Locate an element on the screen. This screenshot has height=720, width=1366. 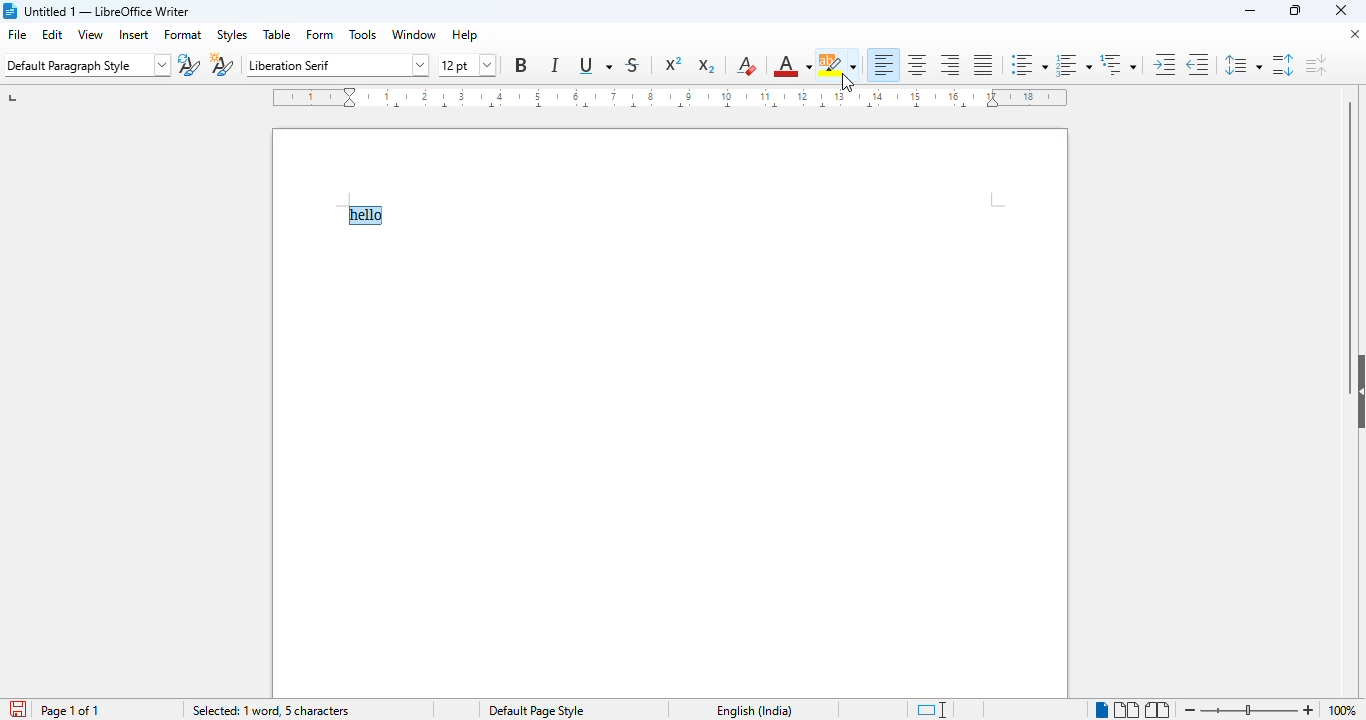
dropdown is located at coordinates (164, 66).